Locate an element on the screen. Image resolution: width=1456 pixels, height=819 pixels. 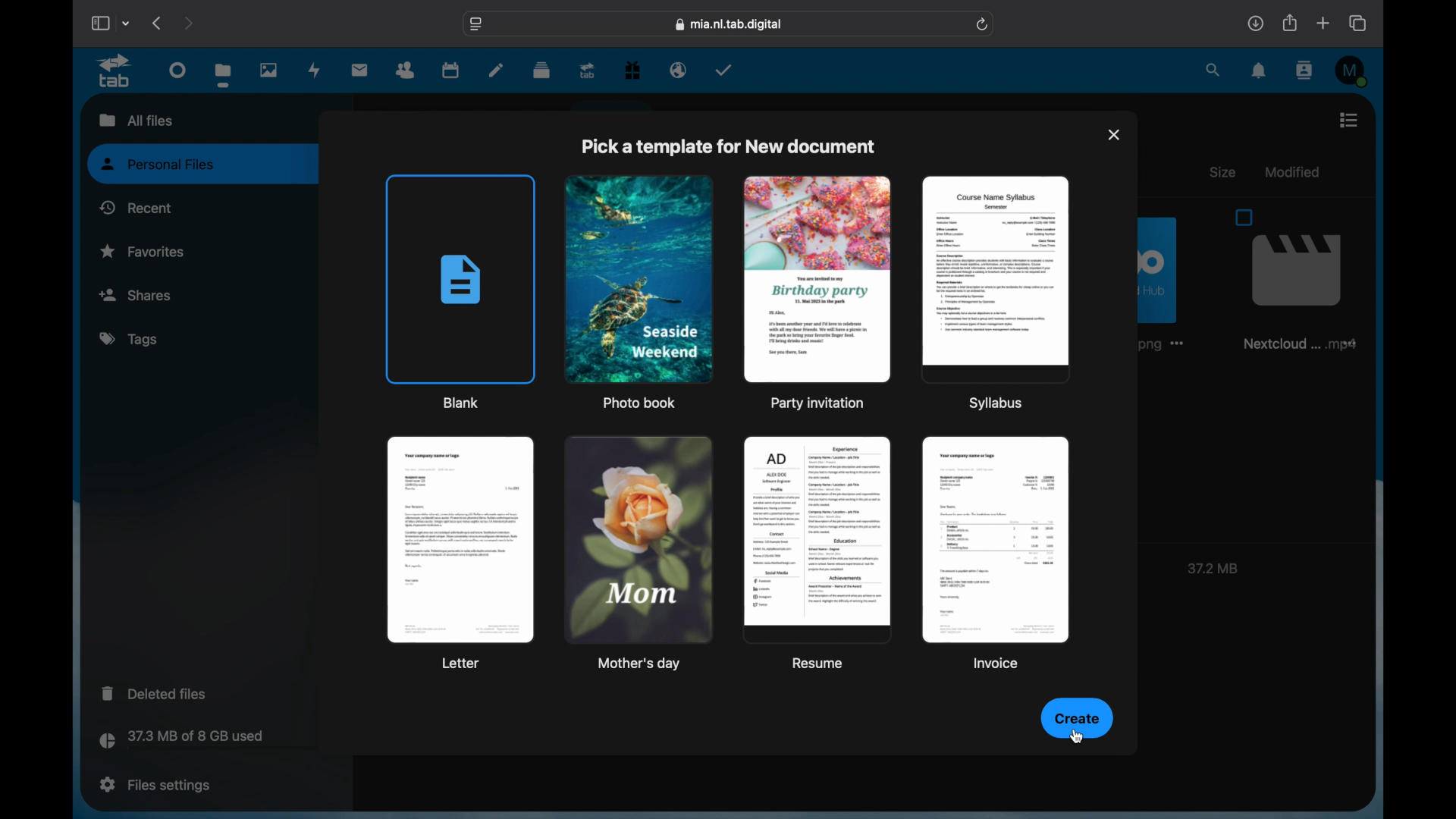
37.2 MB is located at coordinates (1210, 570).